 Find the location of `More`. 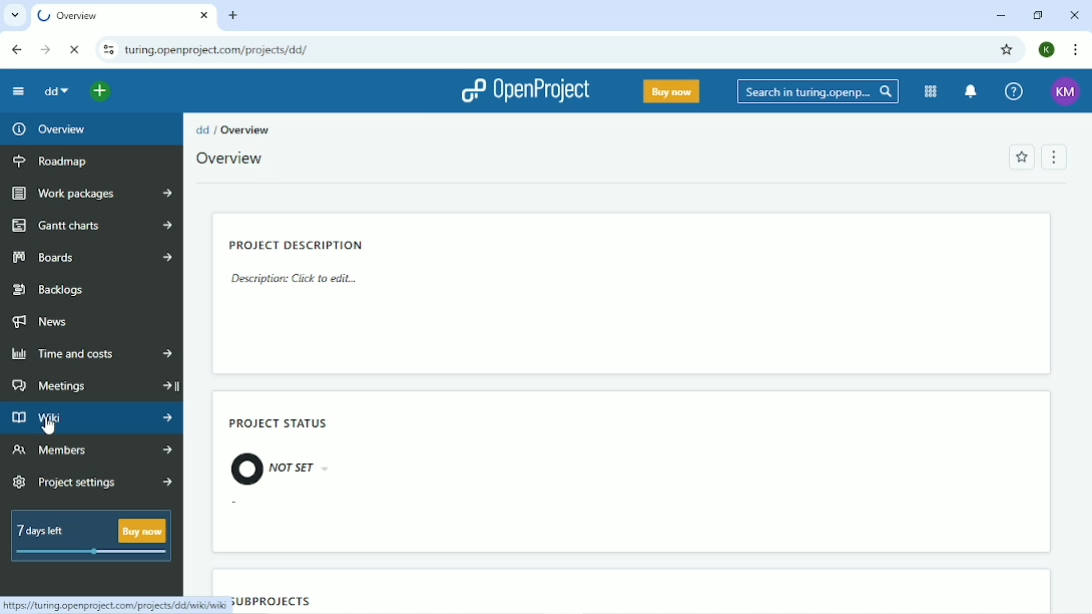

More is located at coordinates (172, 478).